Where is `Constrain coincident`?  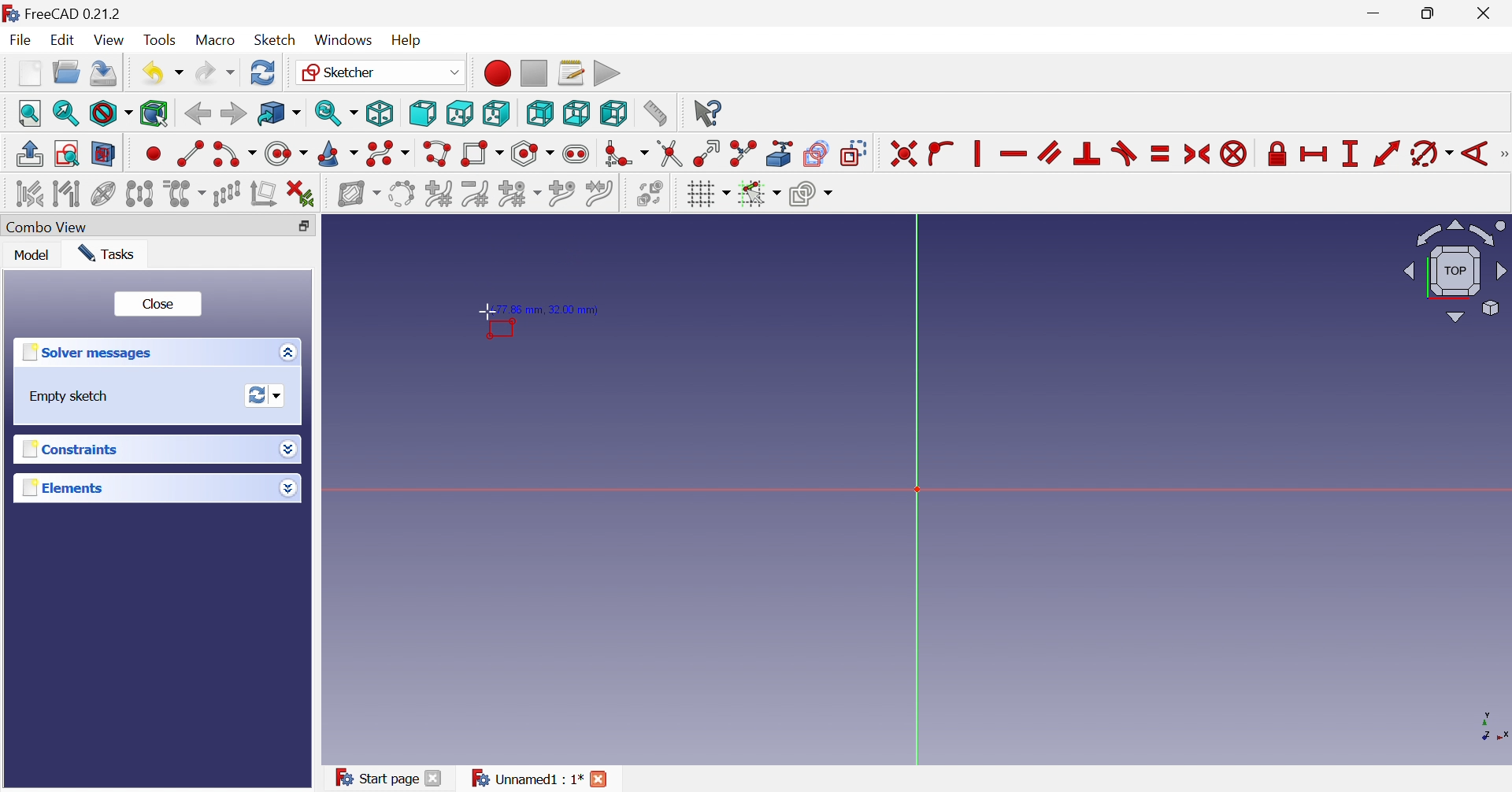
Constrain coincident is located at coordinates (903, 154).